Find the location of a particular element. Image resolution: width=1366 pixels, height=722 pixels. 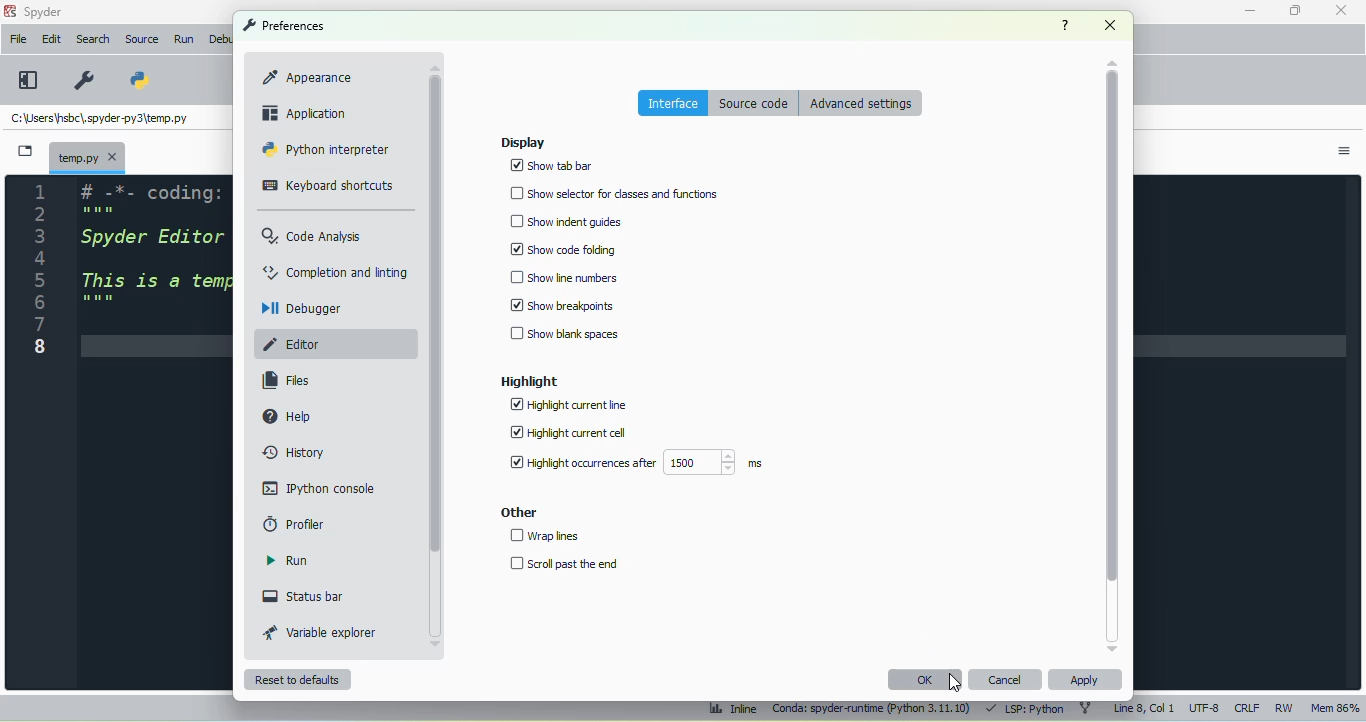

keyboard shortcuts is located at coordinates (328, 186).